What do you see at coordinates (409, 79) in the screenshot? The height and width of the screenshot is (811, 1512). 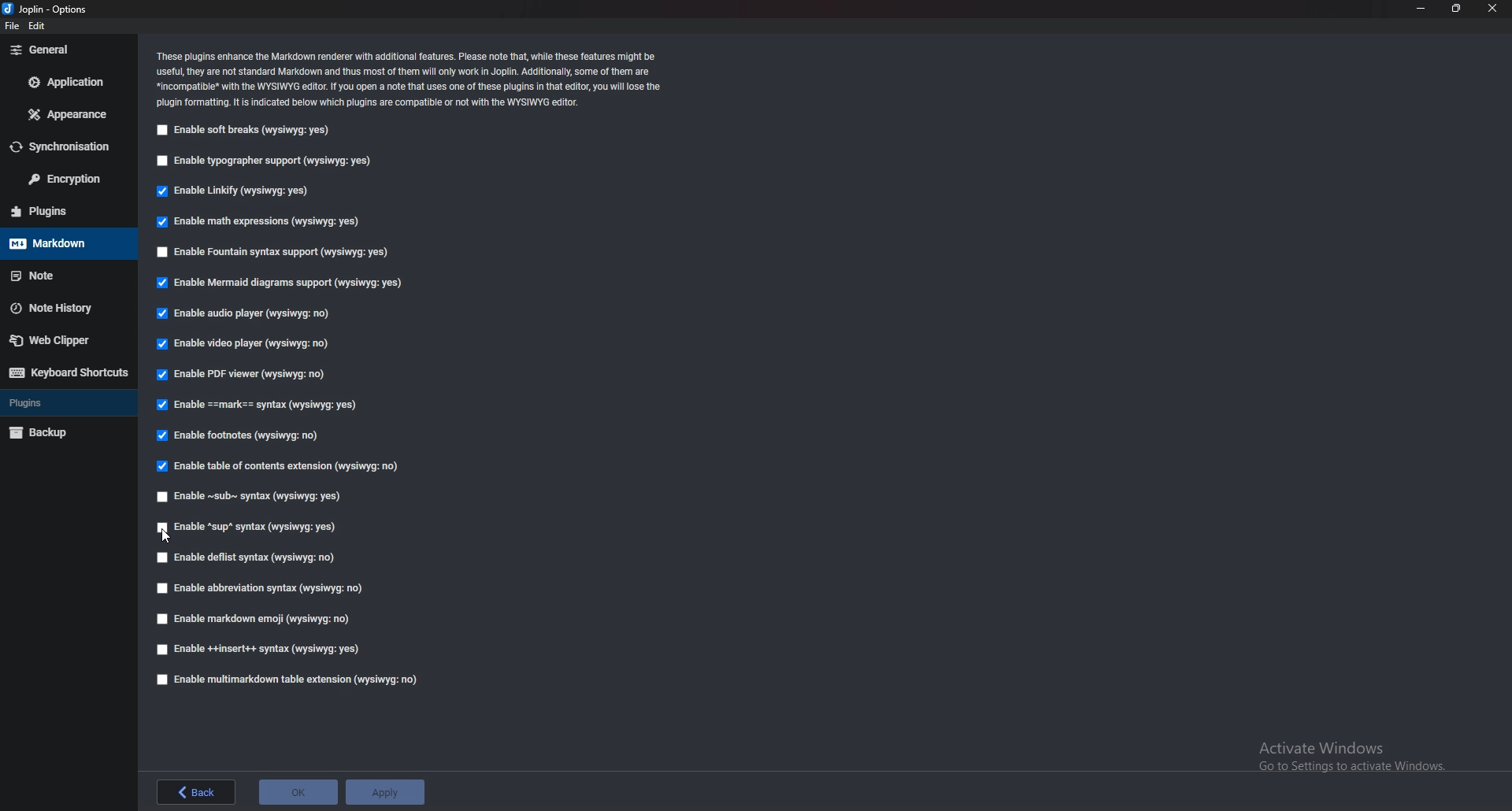 I see `These plugins enhance the Markdown renderer with additional features. Please note that, while these features might be
useful, they are not standard Markdown and thus most of them will only work in Joplin. Additionally, some of them are.
*incompatible® with the WYSIWYG editor. If you open a note that uses one of these plugins in that editor, you will lose the
plugin formatting. It is indicated below which plugins are compatible or not with the WYSIWYG editor.` at bounding box center [409, 79].